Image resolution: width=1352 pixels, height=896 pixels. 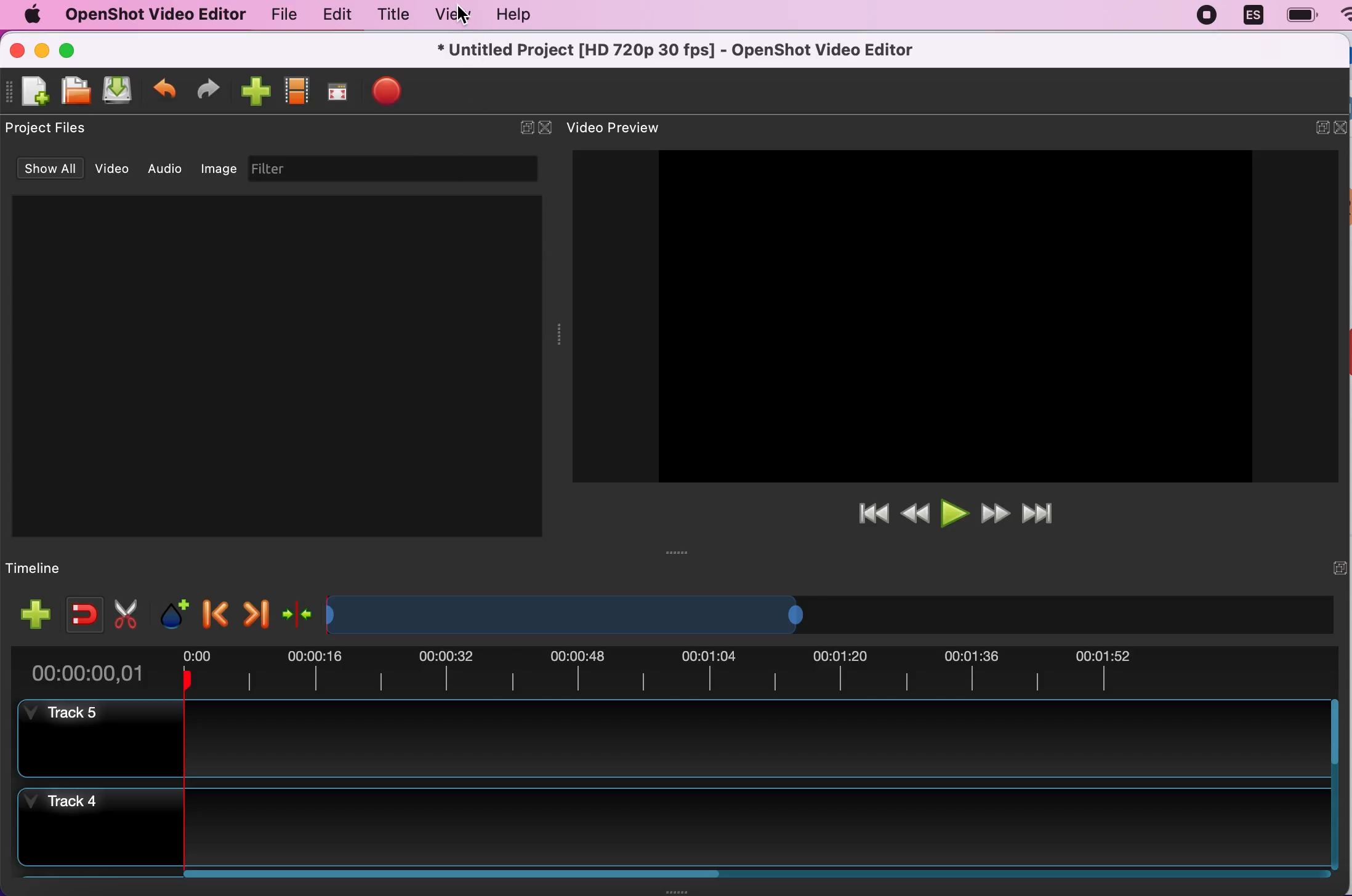 I want to click on language, so click(x=1248, y=15).